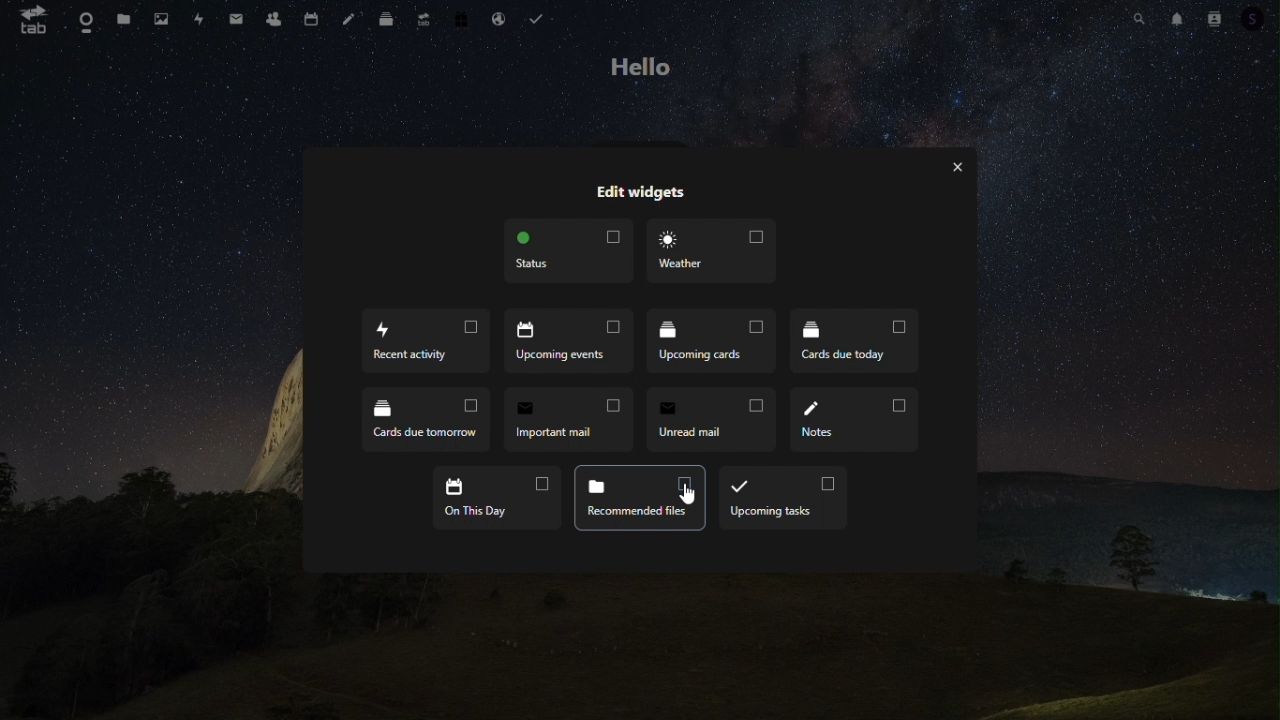 This screenshot has width=1280, height=720. Describe the element at coordinates (82, 23) in the screenshot. I see `dashboard` at that location.